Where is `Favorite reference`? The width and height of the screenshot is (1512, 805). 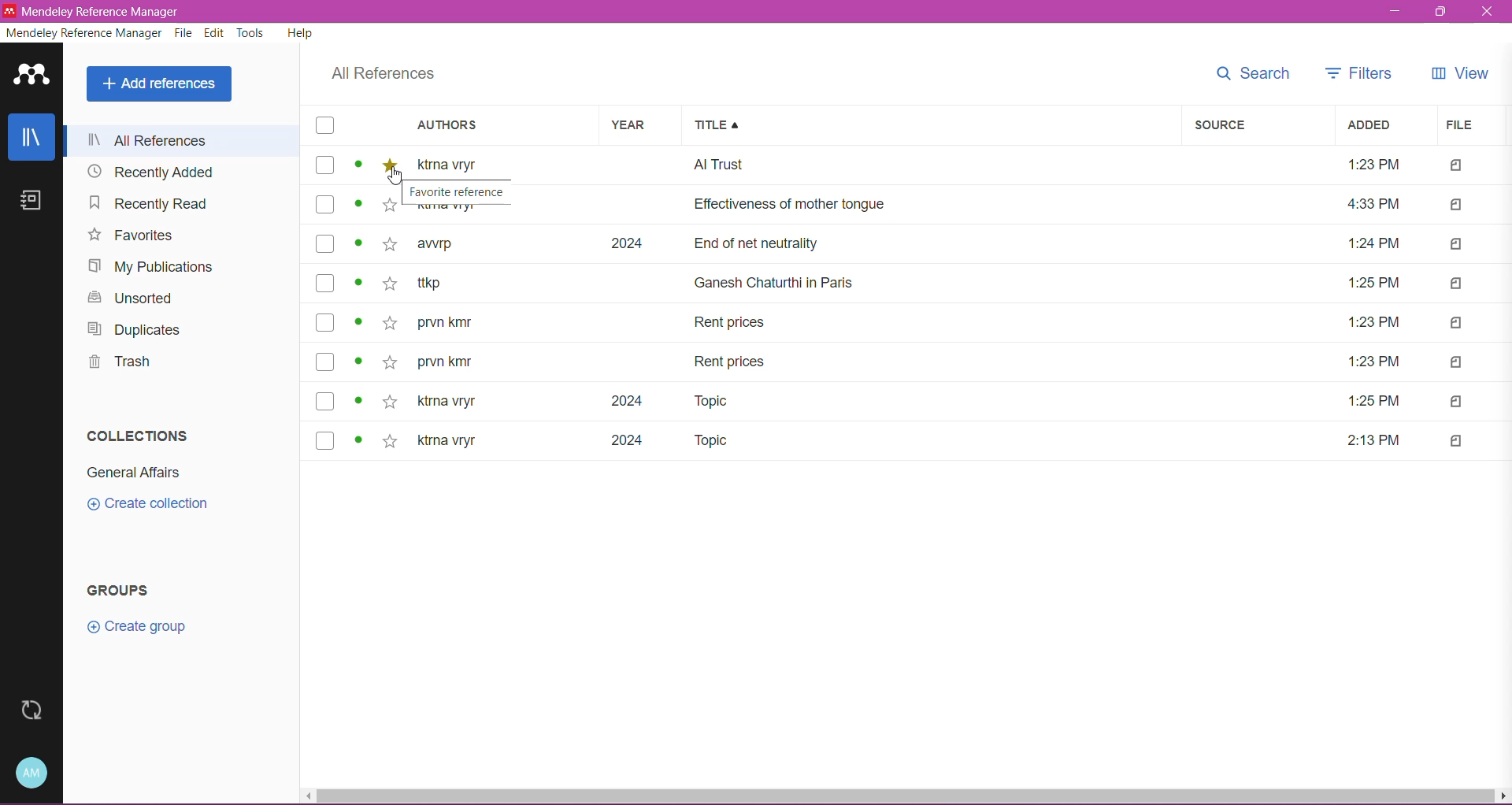 Favorite reference is located at coordinates (460, 195).